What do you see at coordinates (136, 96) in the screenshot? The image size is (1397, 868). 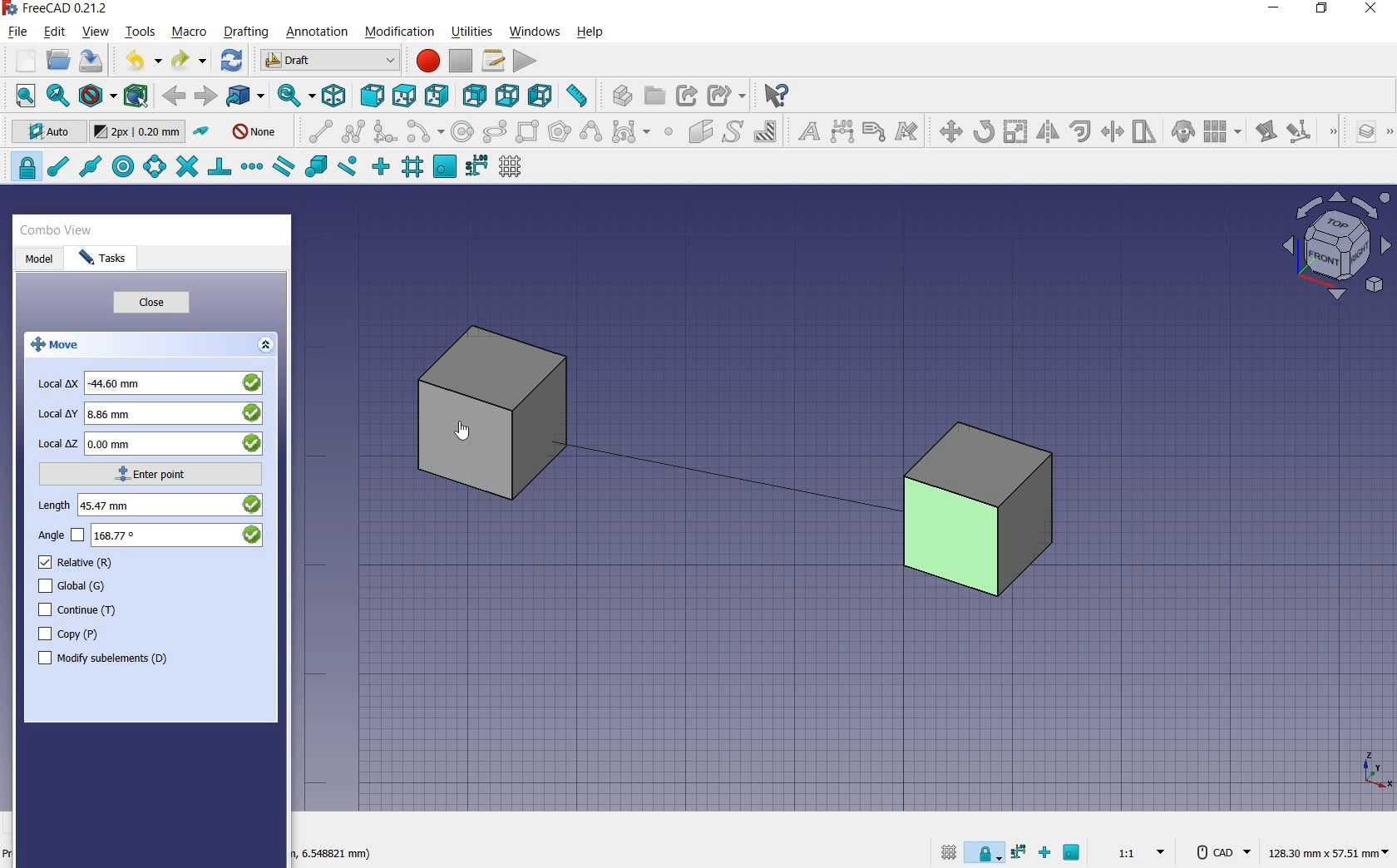 I see `bounding box` at bounding box center [136, 96].